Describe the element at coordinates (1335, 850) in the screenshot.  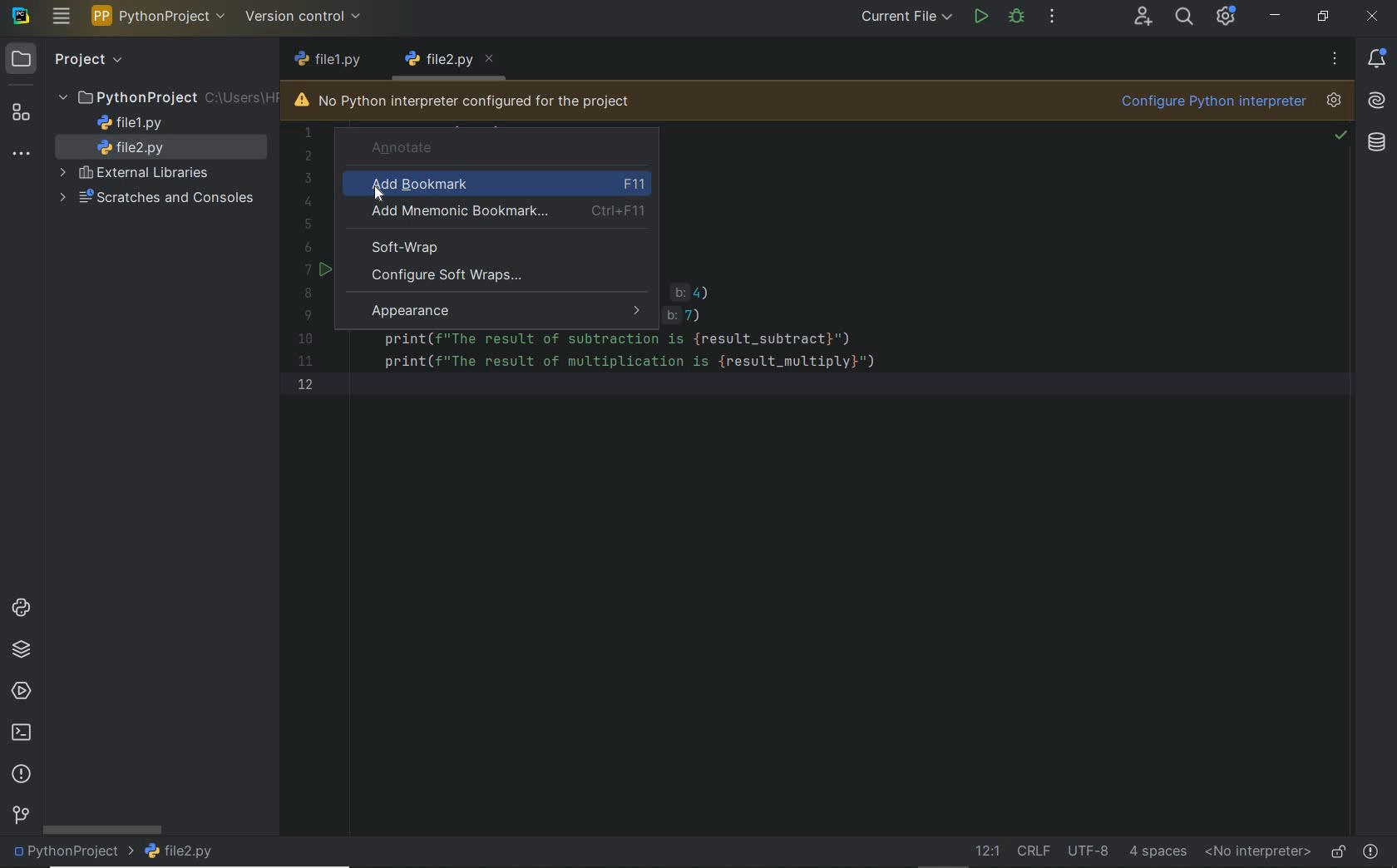
I see `make file ready only` at that location.